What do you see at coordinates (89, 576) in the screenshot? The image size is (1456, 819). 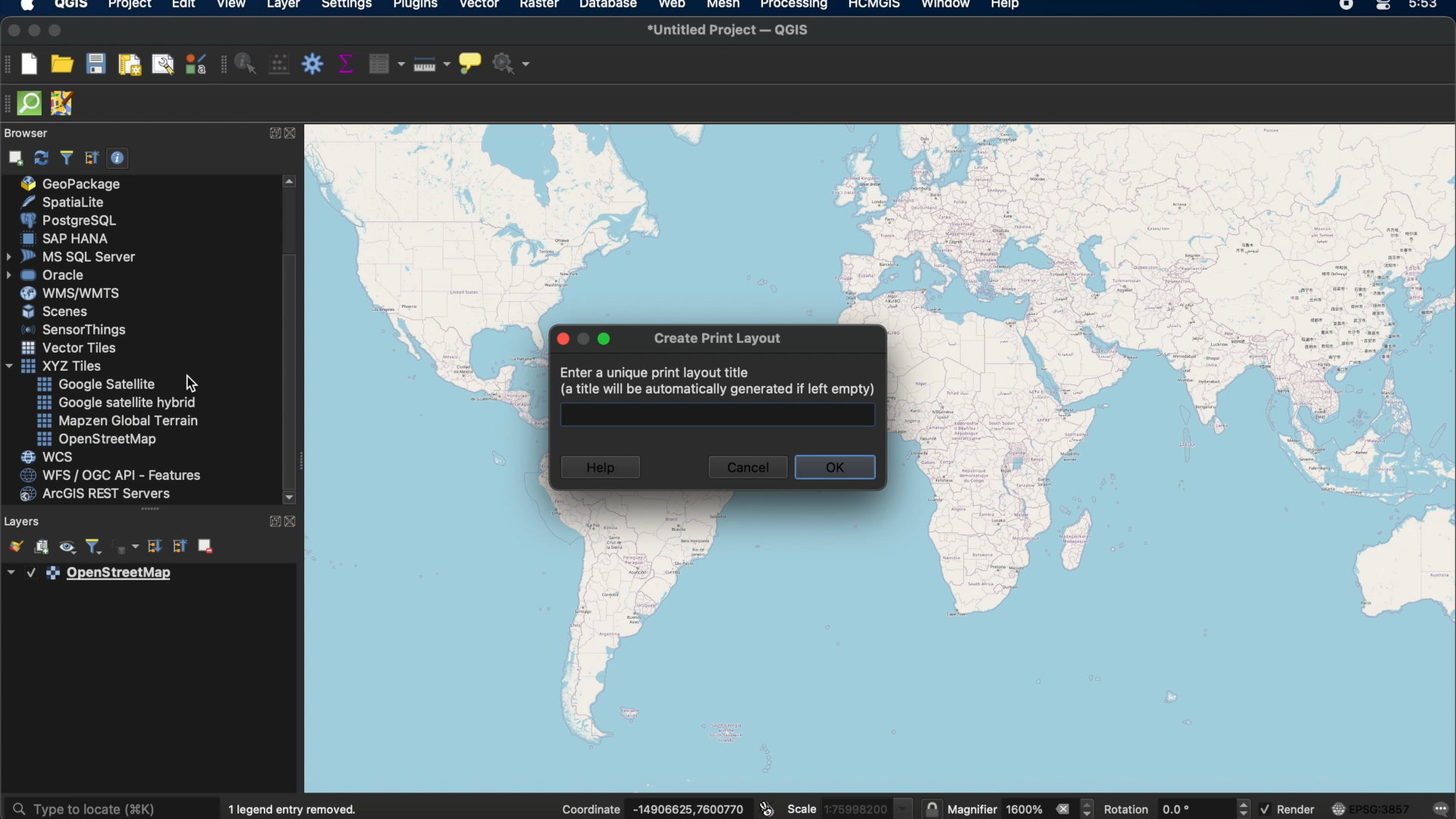 I see `layer` at bounding box center [89, 576].